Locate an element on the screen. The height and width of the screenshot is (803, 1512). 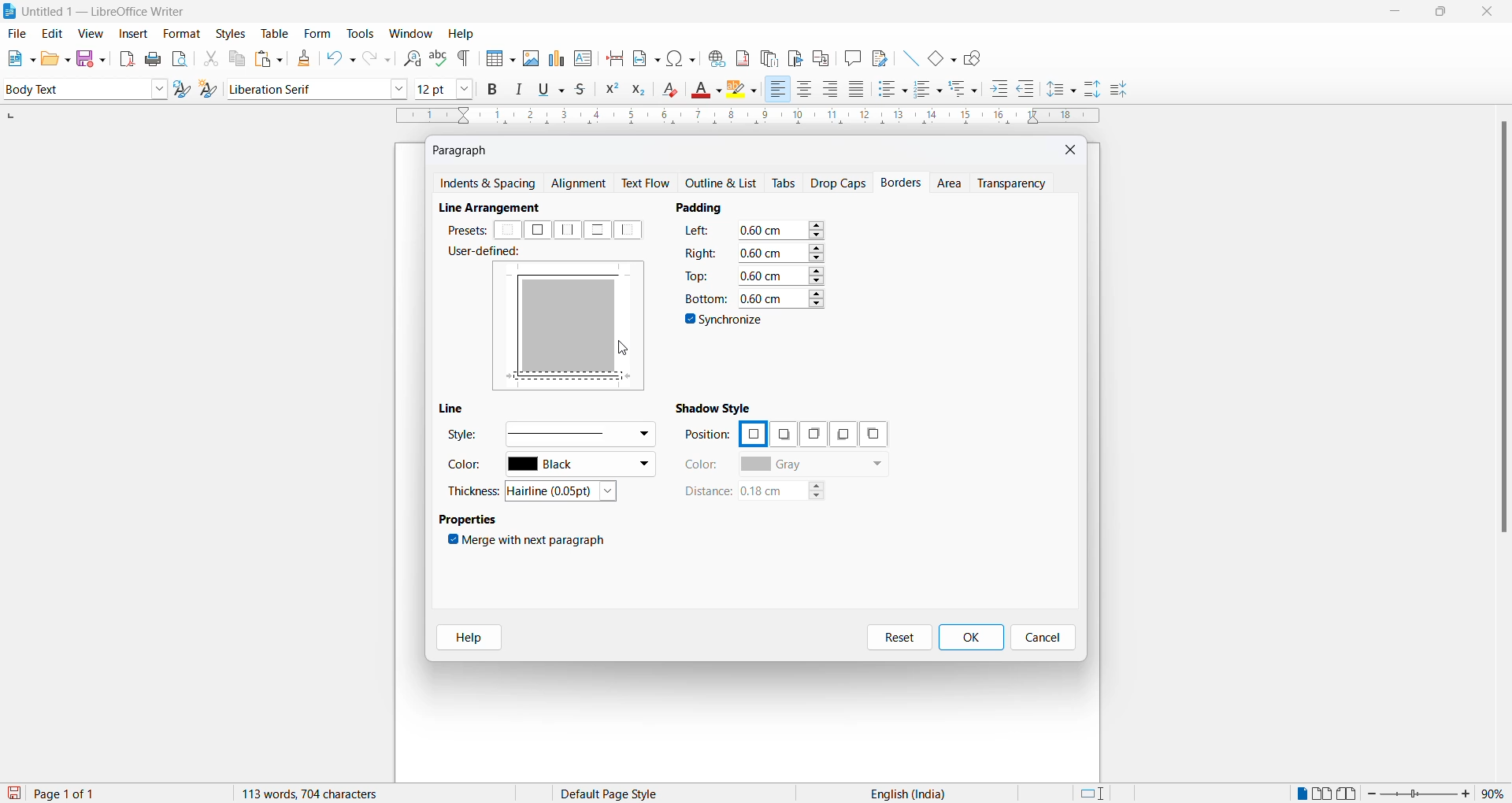
superscript is located at coordinates (610, 91).